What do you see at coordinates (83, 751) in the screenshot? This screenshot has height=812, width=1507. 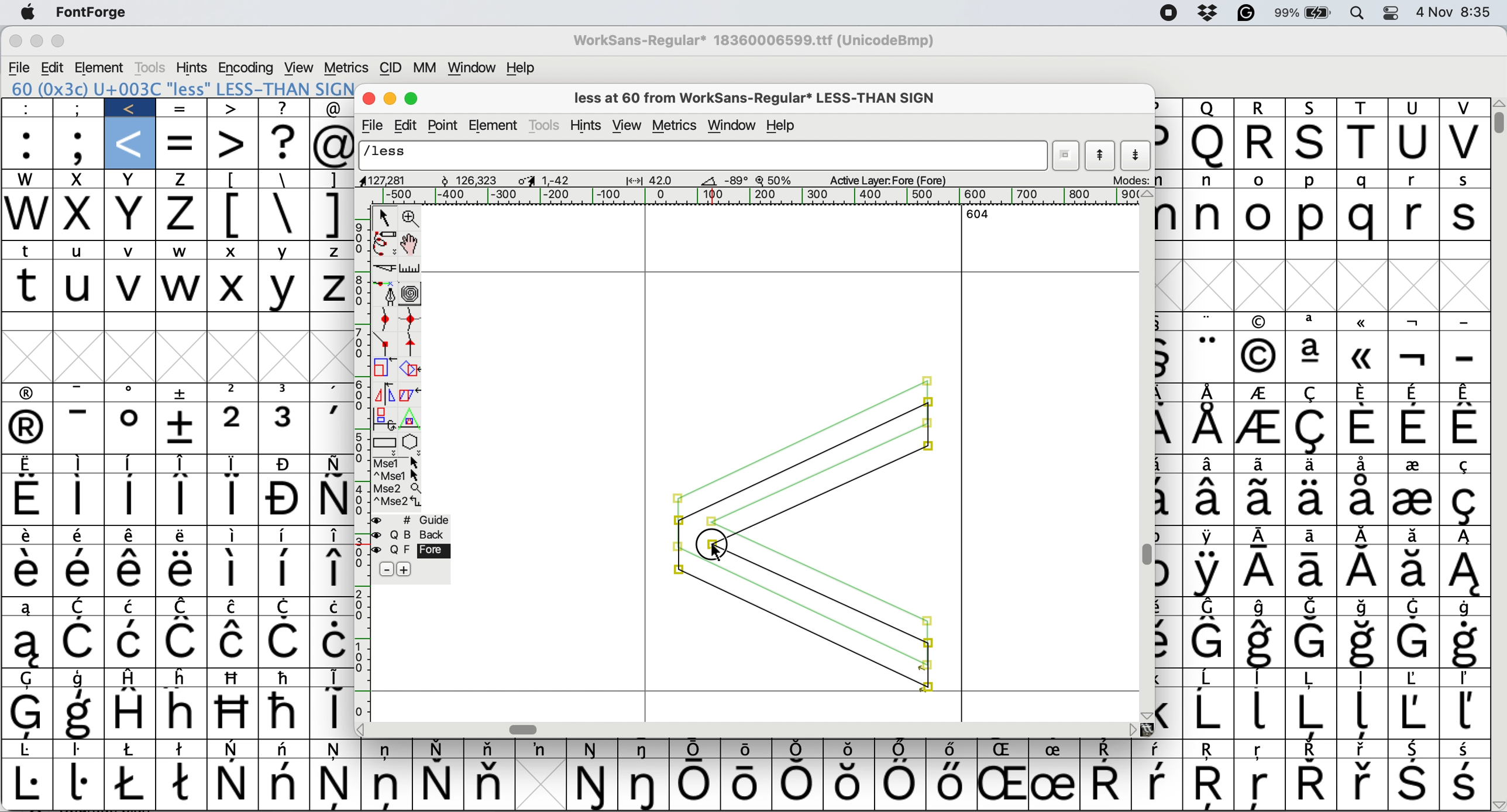 I see `Symbol` at bounding box center [83, 751].